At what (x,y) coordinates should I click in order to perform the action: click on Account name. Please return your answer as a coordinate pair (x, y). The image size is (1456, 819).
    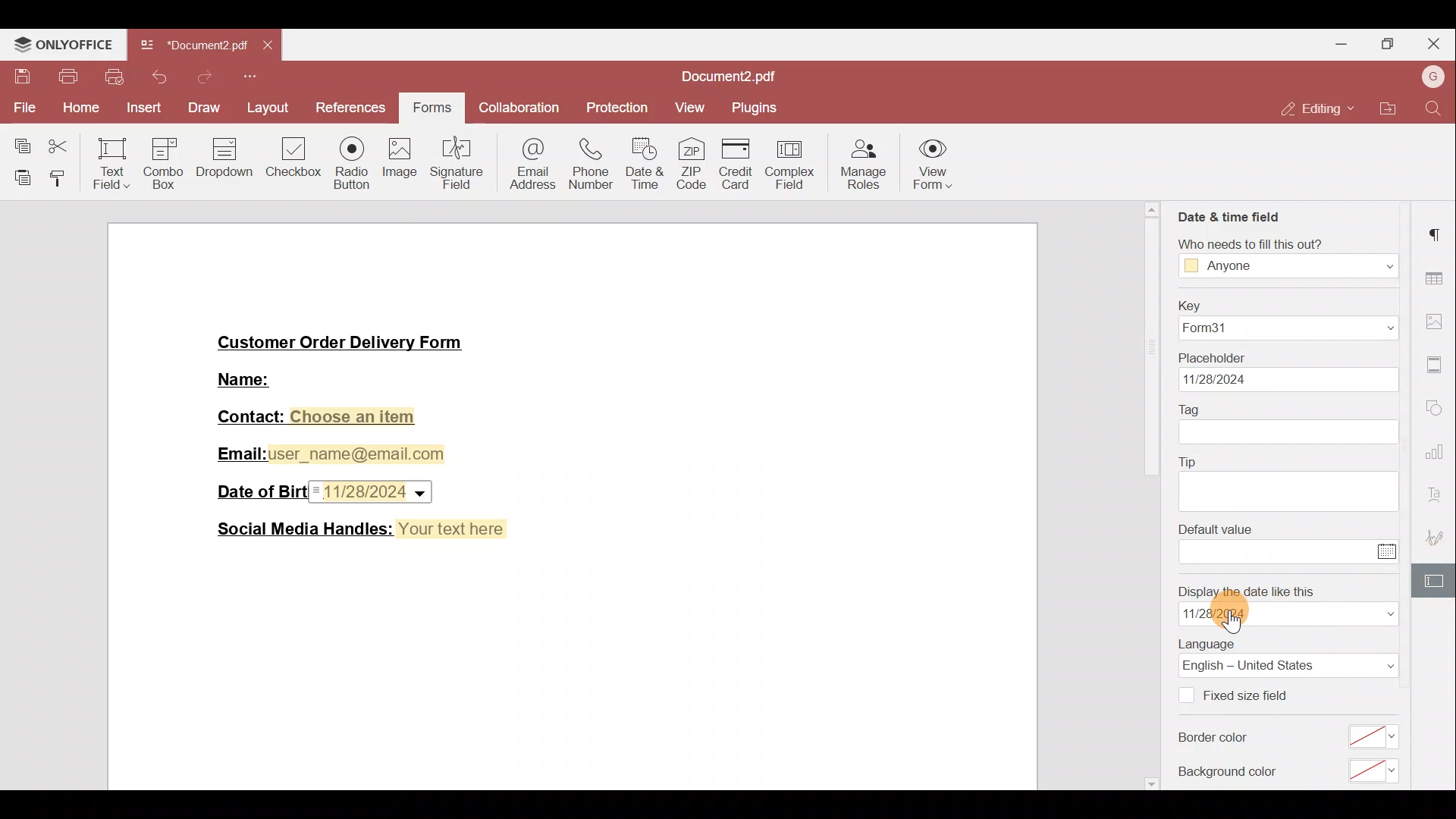
    Looking at the image, I should click on (1432, 76).